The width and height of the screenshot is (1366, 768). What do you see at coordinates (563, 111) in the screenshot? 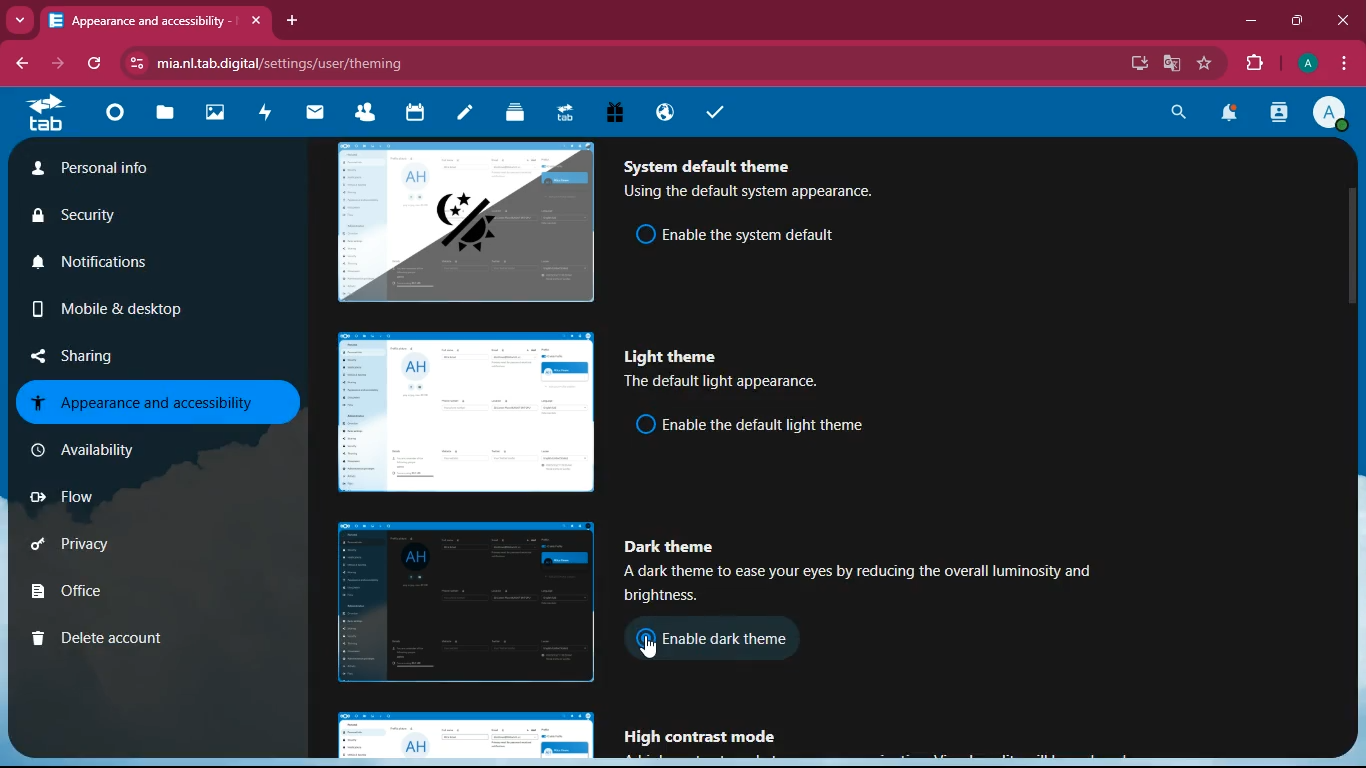
I see `tab` at bounding box center [563, 111].